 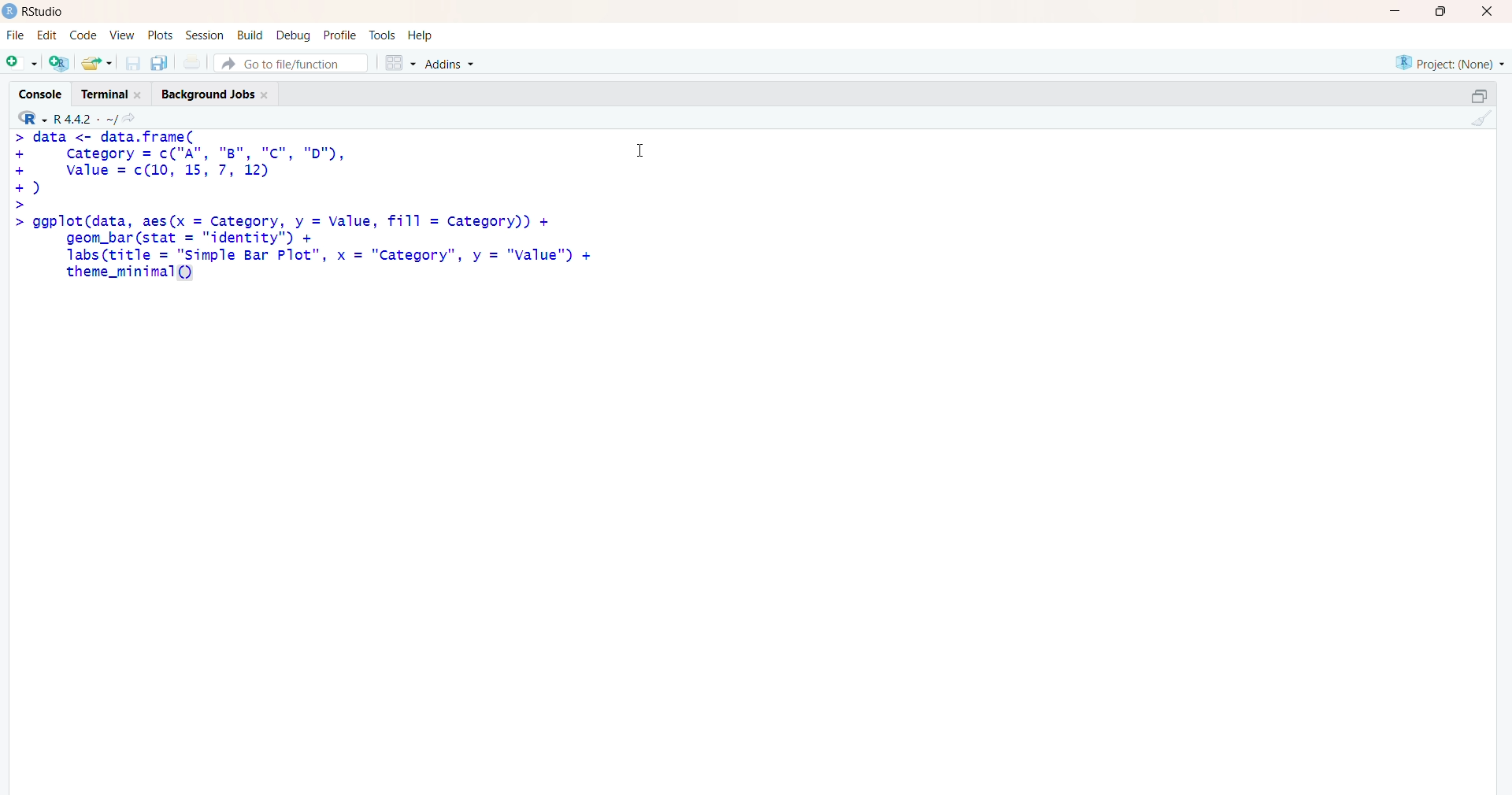 I want to click on print current file, so click(x=190, y=62).